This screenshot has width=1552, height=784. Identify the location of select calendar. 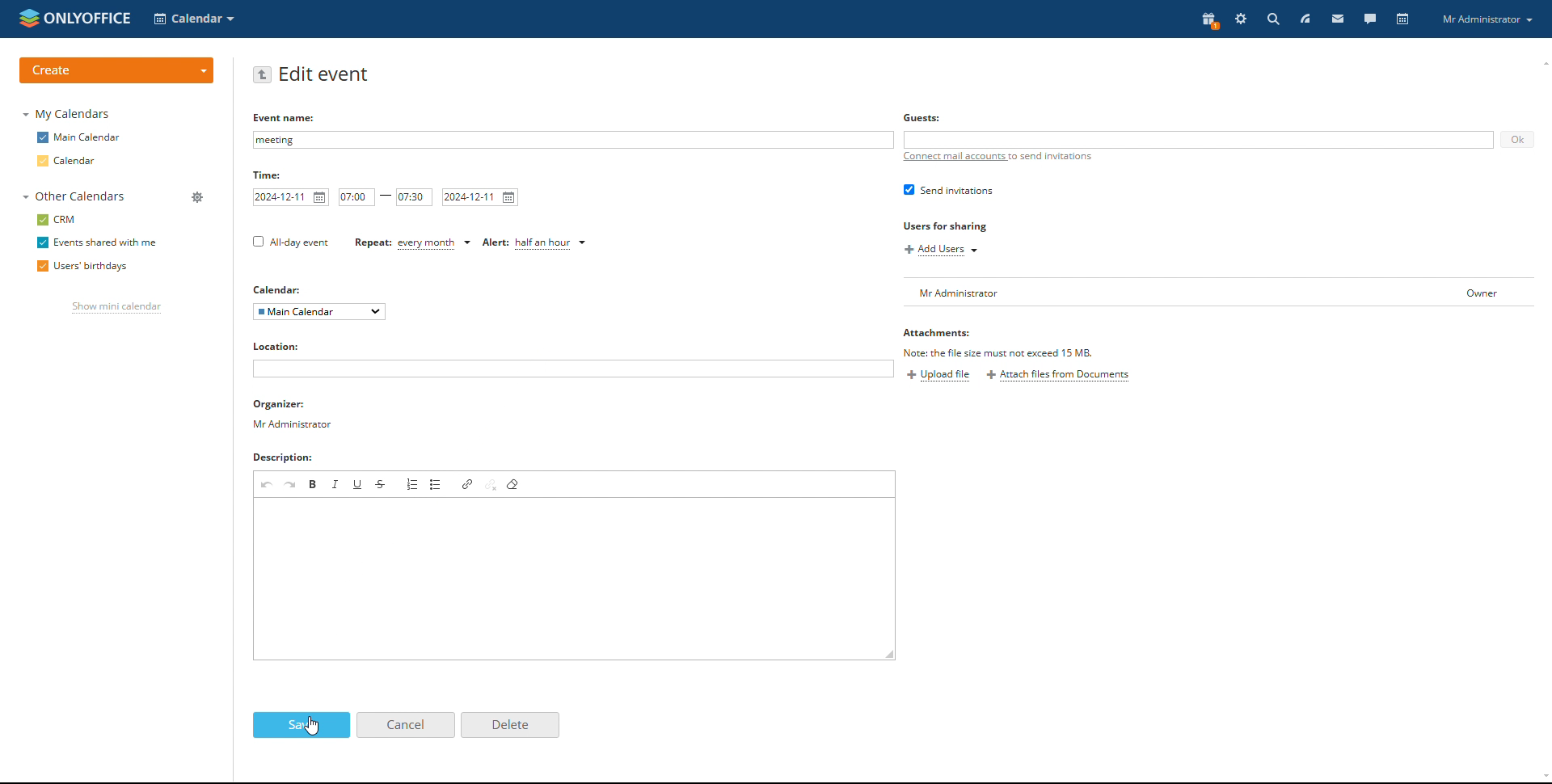
(320, 312).